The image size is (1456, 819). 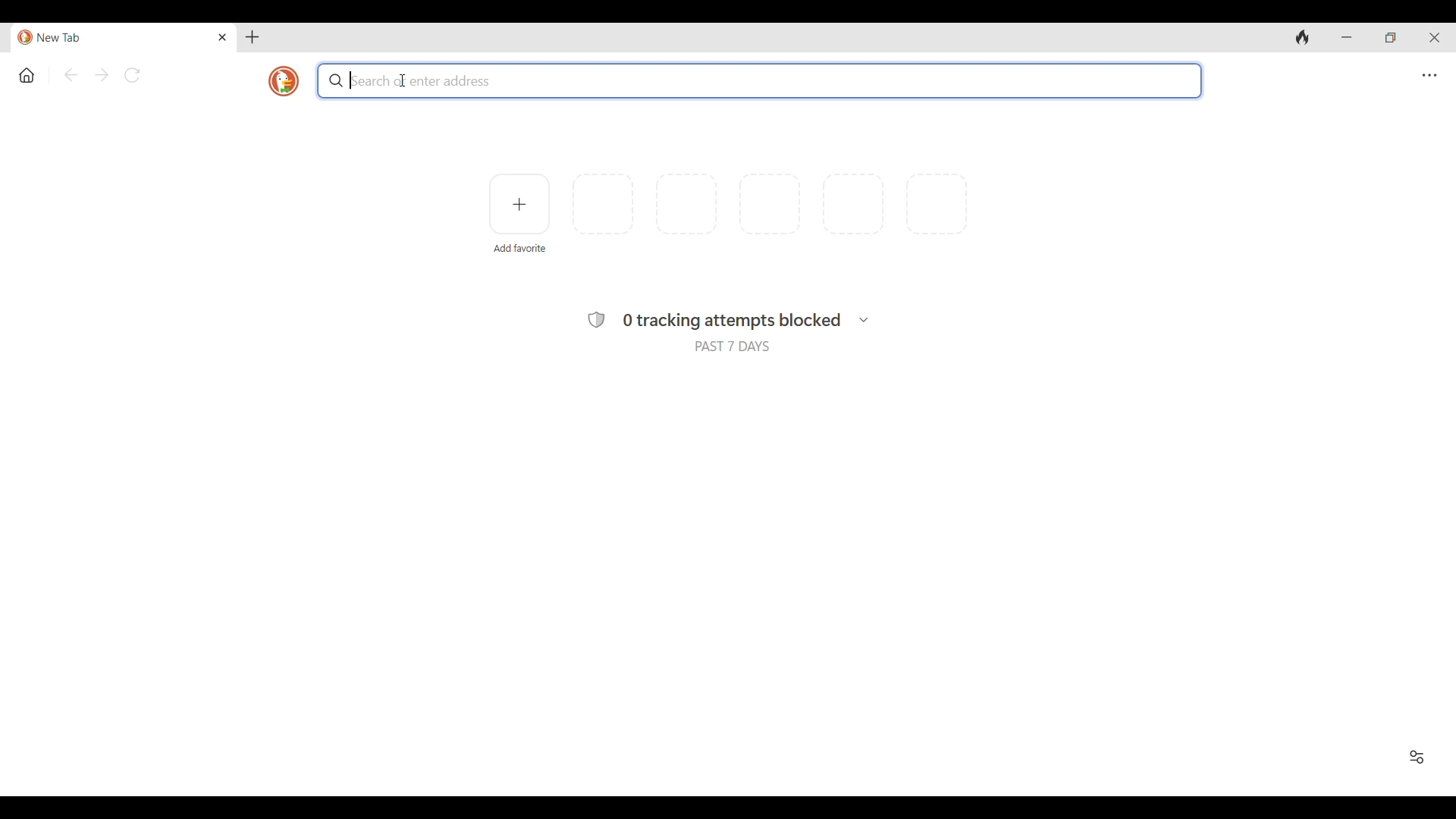 What do you see at coordinates (519, 204) in the screenshot?
I see `Add favorite` at bounding box center [519, 204].